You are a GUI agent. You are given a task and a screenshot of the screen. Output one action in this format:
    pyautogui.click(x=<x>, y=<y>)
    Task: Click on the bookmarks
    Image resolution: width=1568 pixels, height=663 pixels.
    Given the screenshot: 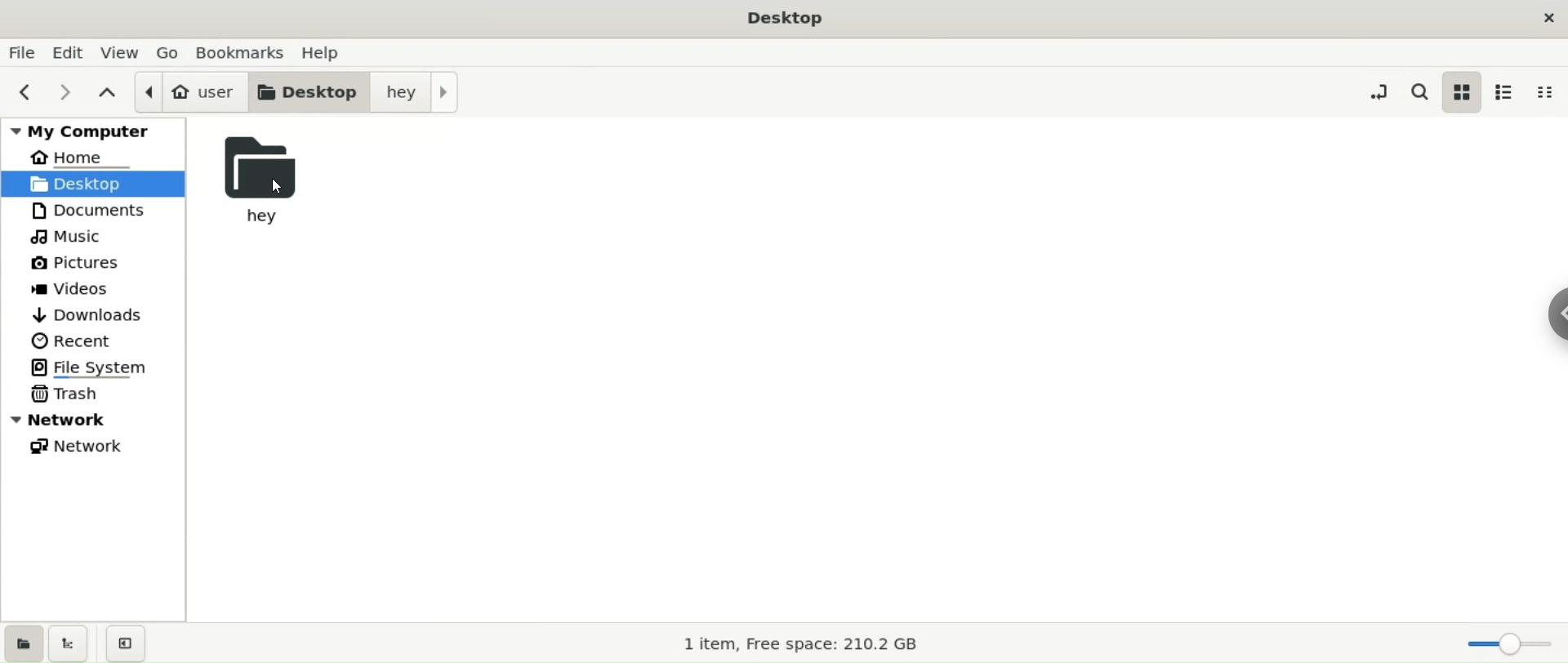 What is the action you would take?
    pyautogui.click(x=242, y=52)
    